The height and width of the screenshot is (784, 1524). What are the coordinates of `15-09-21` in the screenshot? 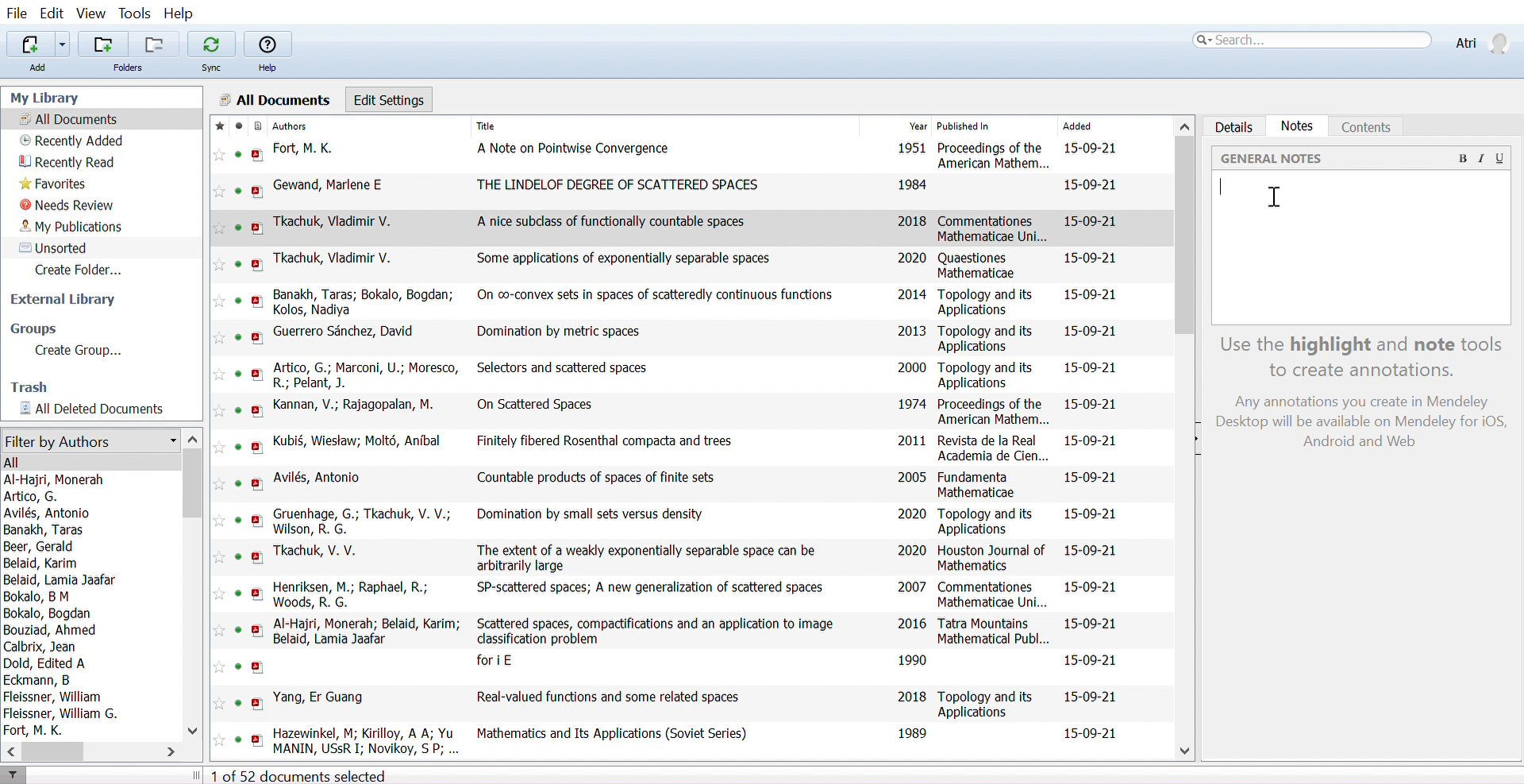 It's located at (1094, 551).